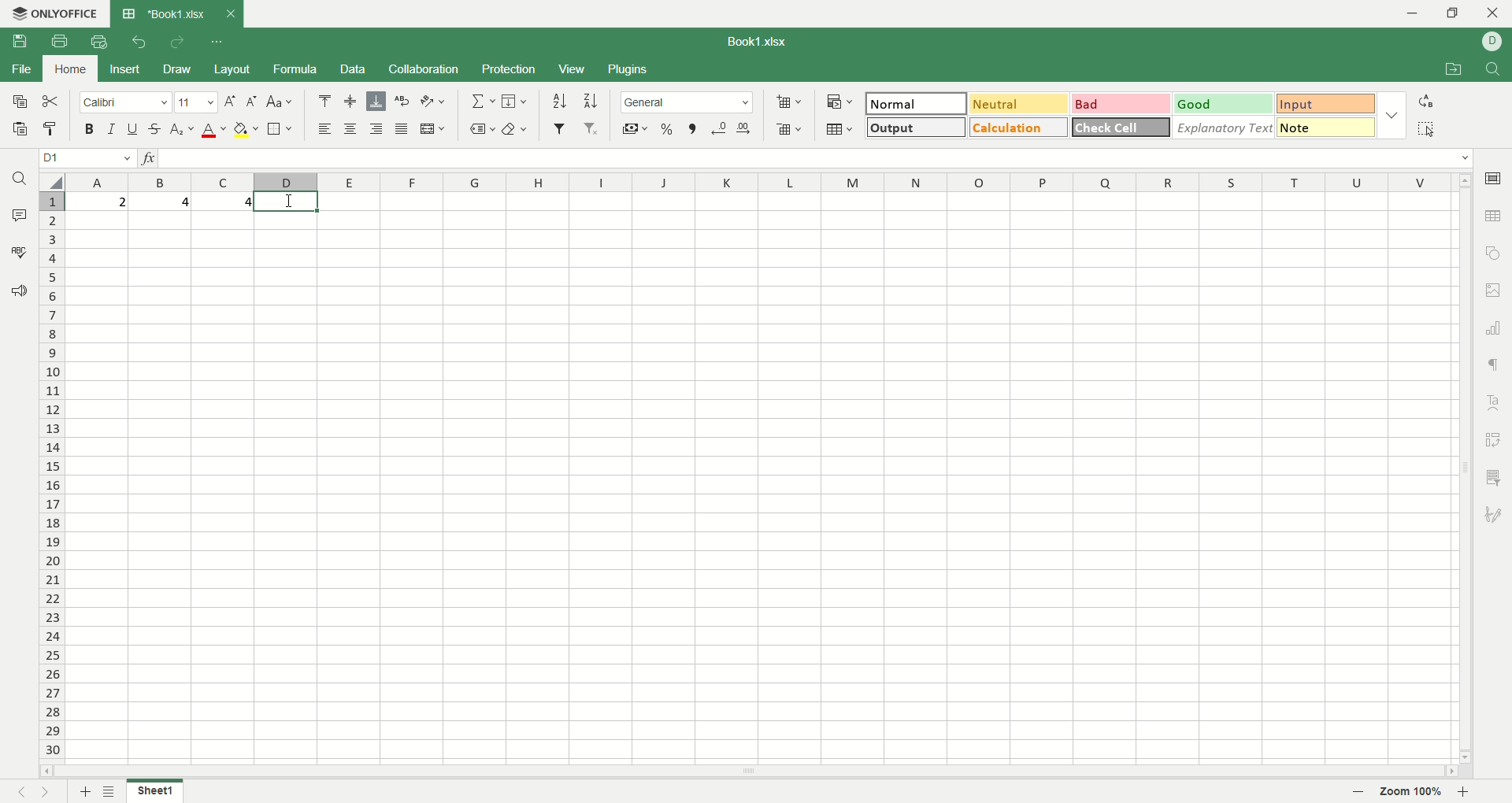 The width and height of the screenshot is (1512, 803). Describe the element at coordinates (1017, 127) in the screenshot. I see `calculation` at that location.